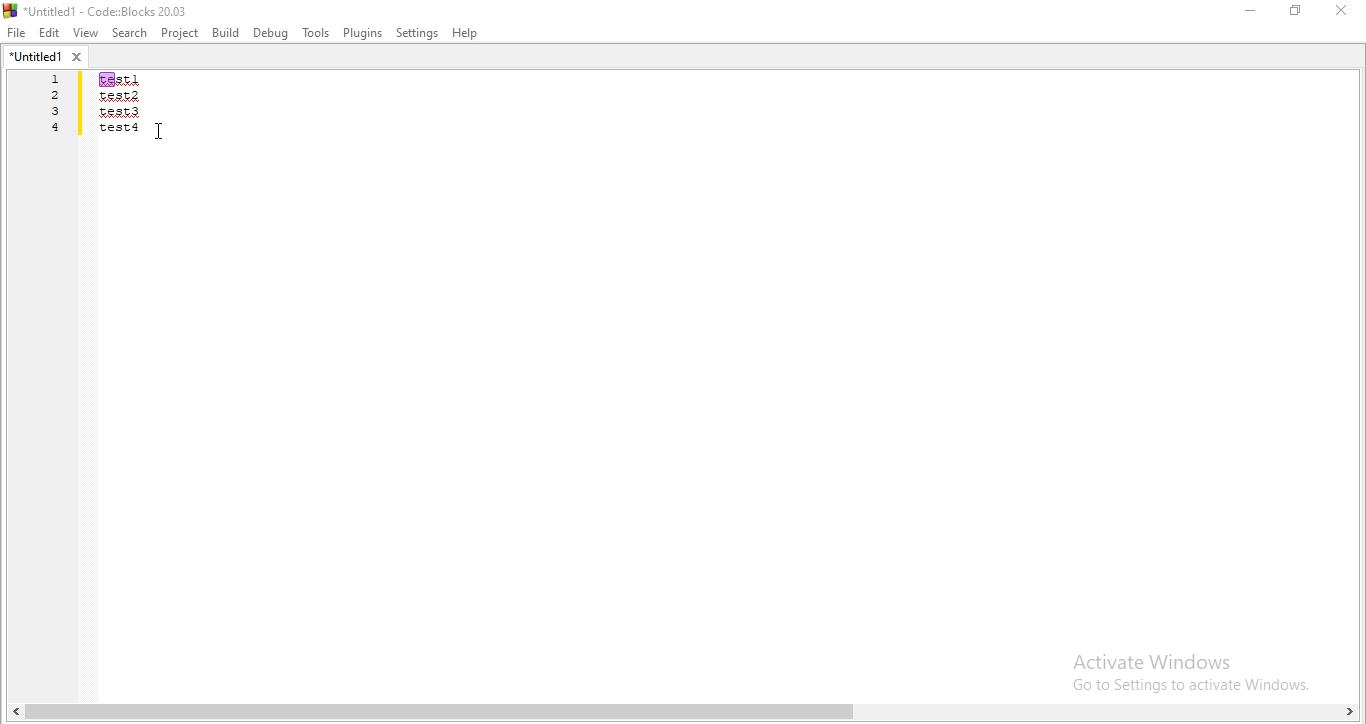 The height and width of the screenshot is (724, 1366). What do you see at coordinates (49, 118) in the screenshot?
I see `1,2,3,4,5` at bounding box center [49, 118].